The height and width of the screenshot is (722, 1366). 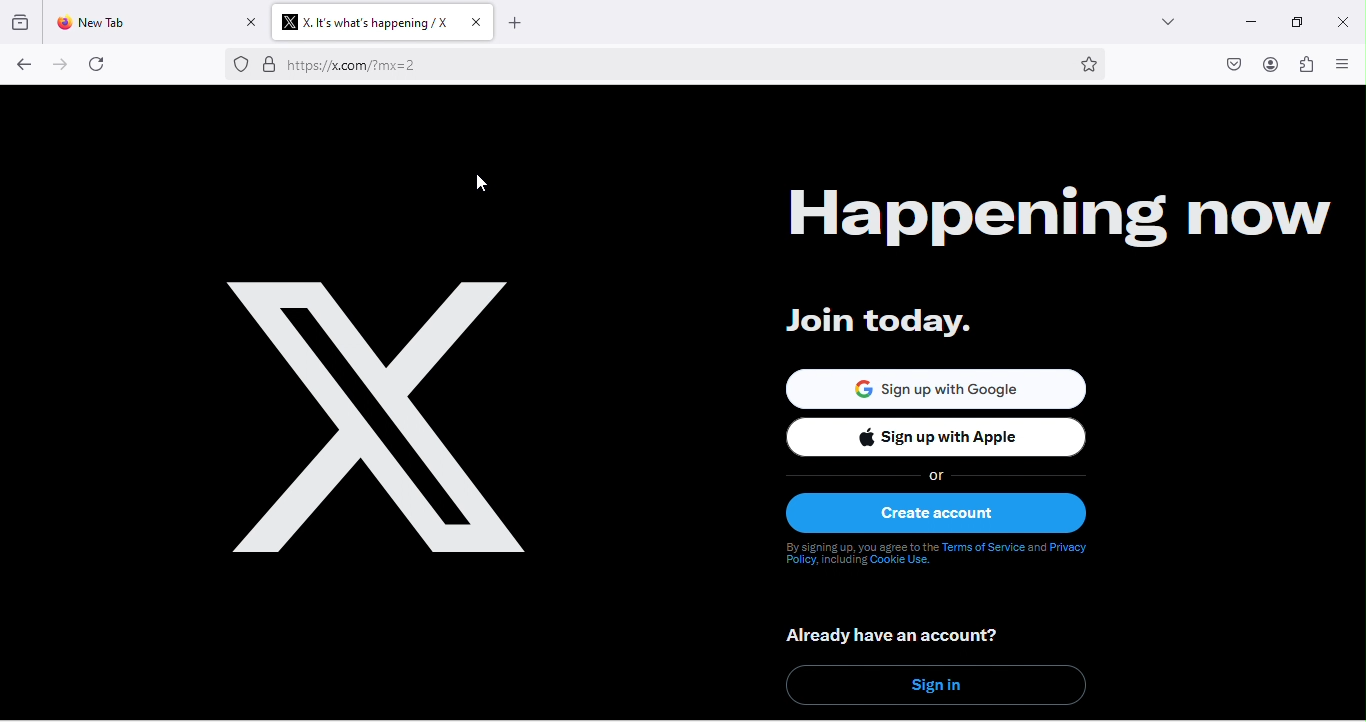 What do you see at coordinates (937, 685) in the screenshot?
I see `sign in` at bounding box center [937, 685].